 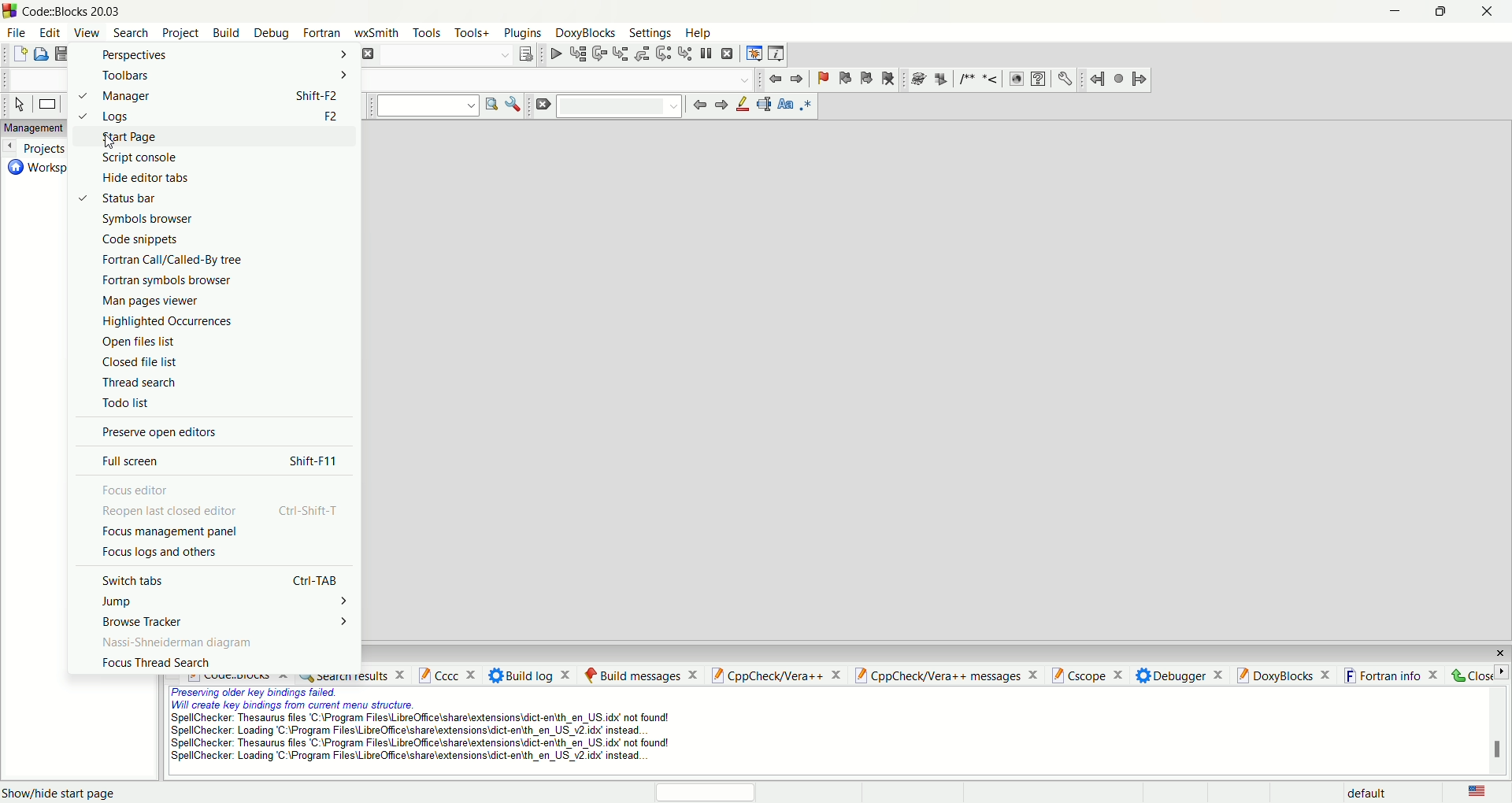 I want to click on perspectives, so click(x=217, y=55).